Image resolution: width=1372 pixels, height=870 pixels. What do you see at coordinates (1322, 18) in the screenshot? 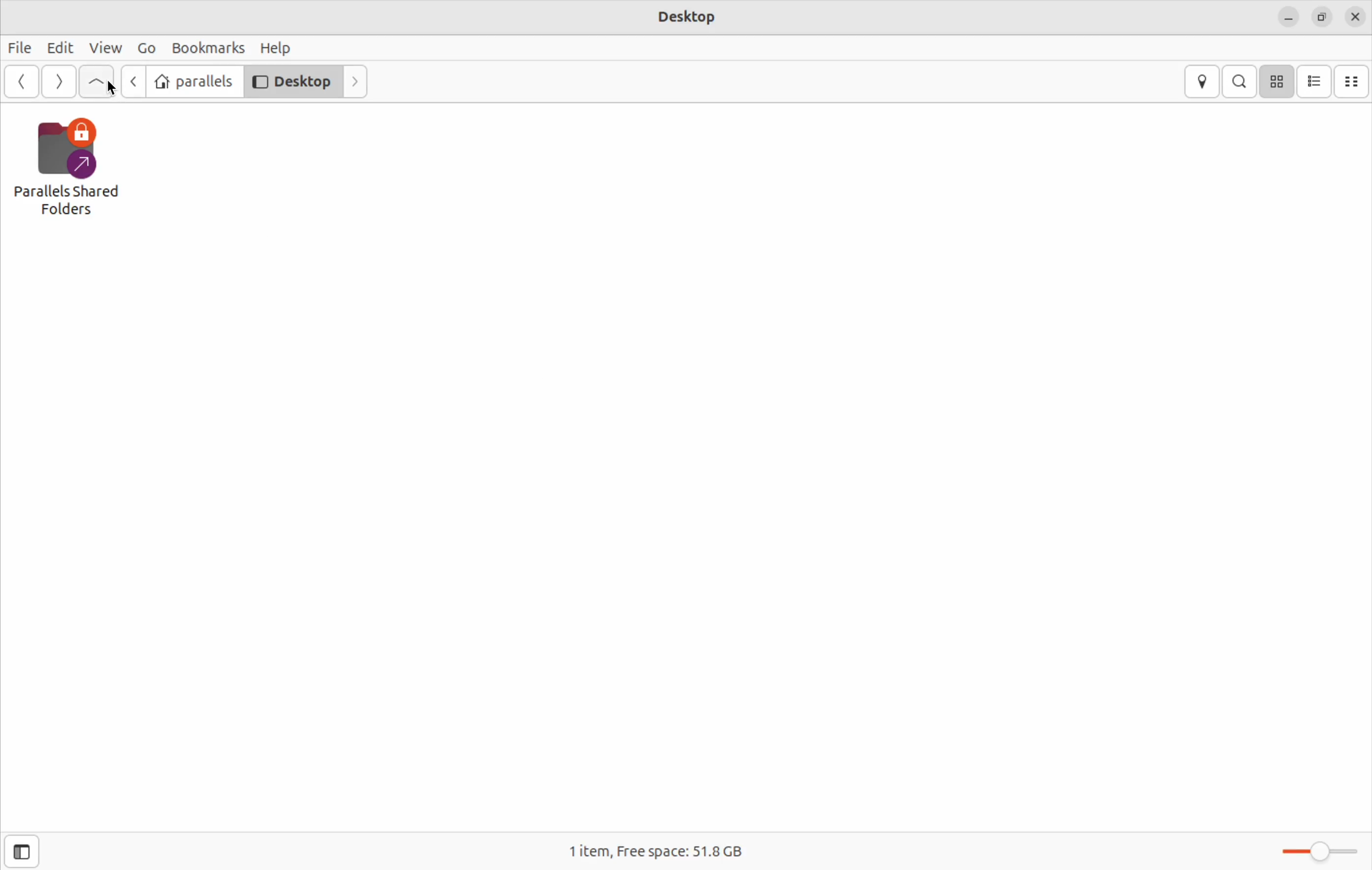
I see `resize` at bounding box center [1322, 18].